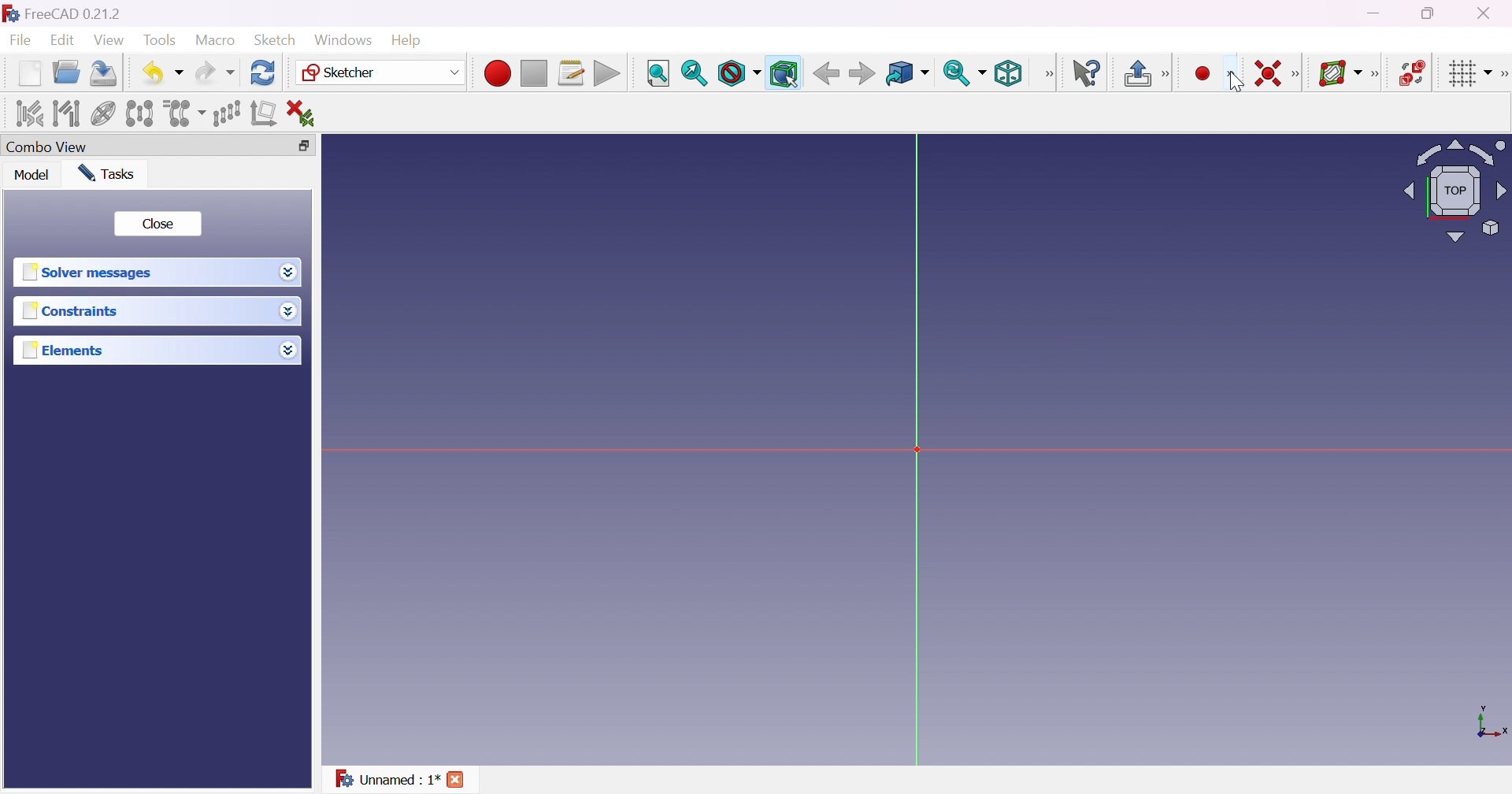 The height and width of the screenshot is (794, 1512). Describe the element at coordinates (67, 114) in the screenshot. I see `Select associated geometry` at that location.